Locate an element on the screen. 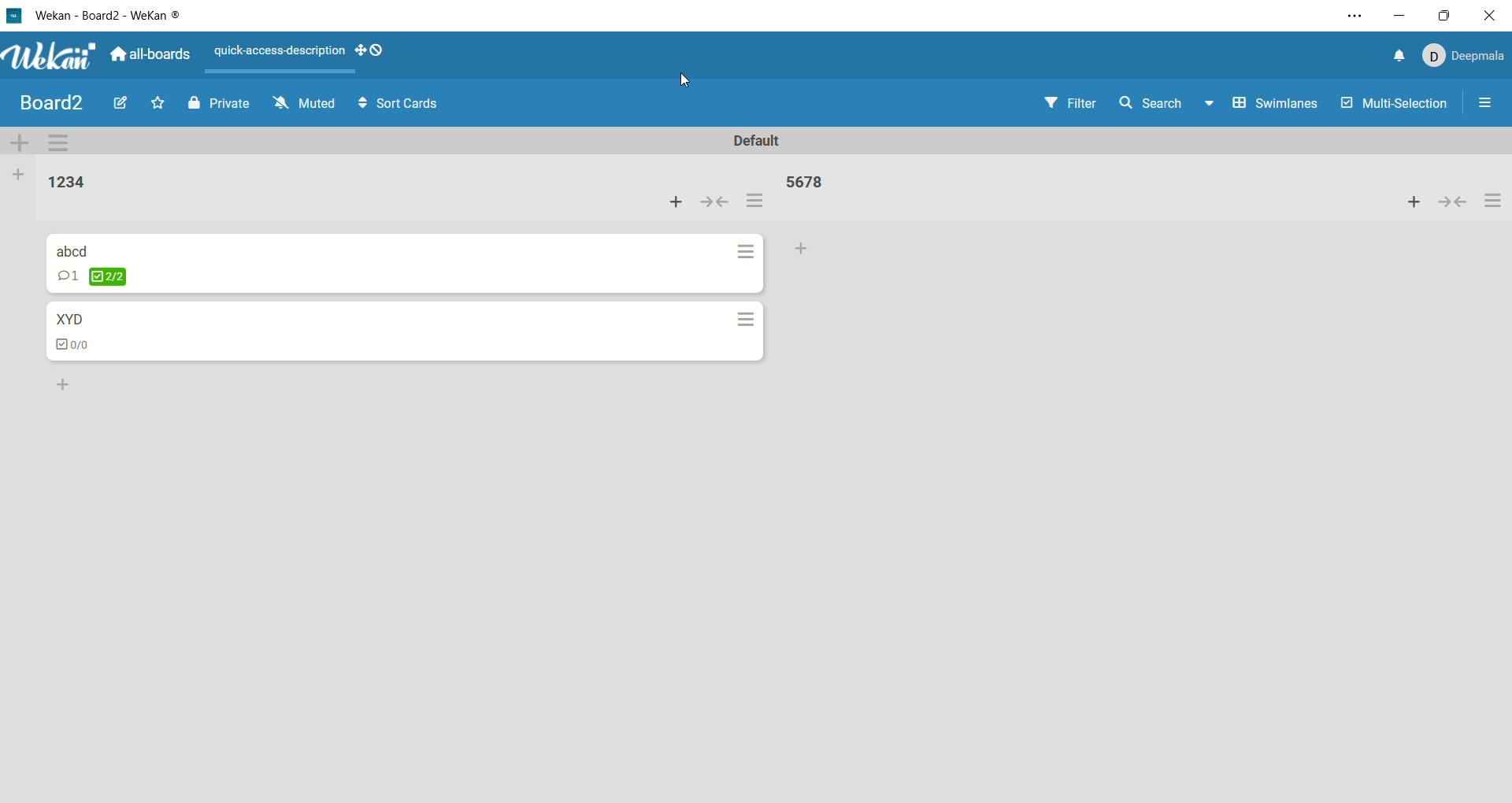 The image size is (1512, 803). minimize is located at coordinates (1401, 18).